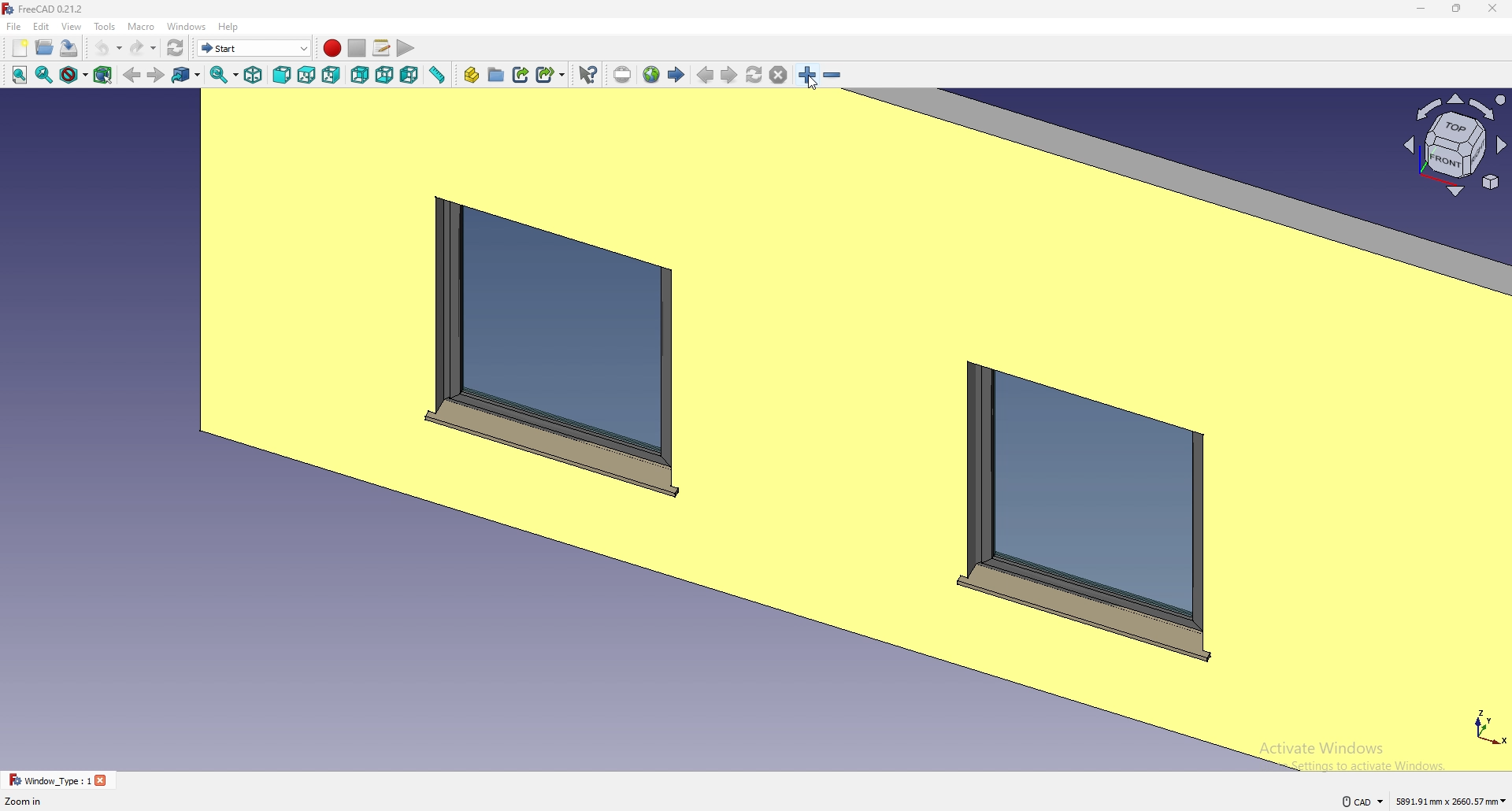  I want to click on stop macro recording, so click(358, 49).